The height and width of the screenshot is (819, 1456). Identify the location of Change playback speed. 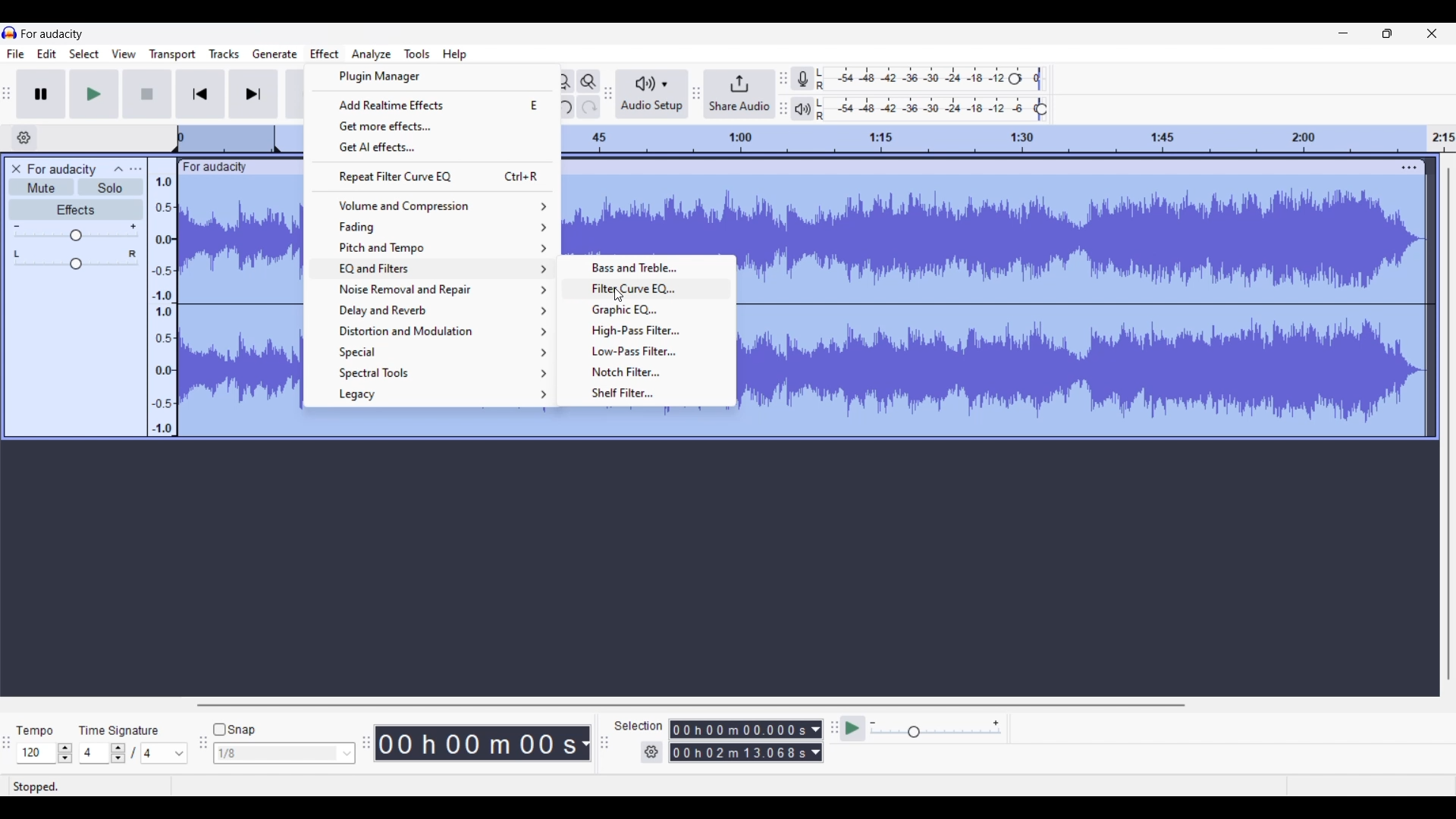
(935, 733).